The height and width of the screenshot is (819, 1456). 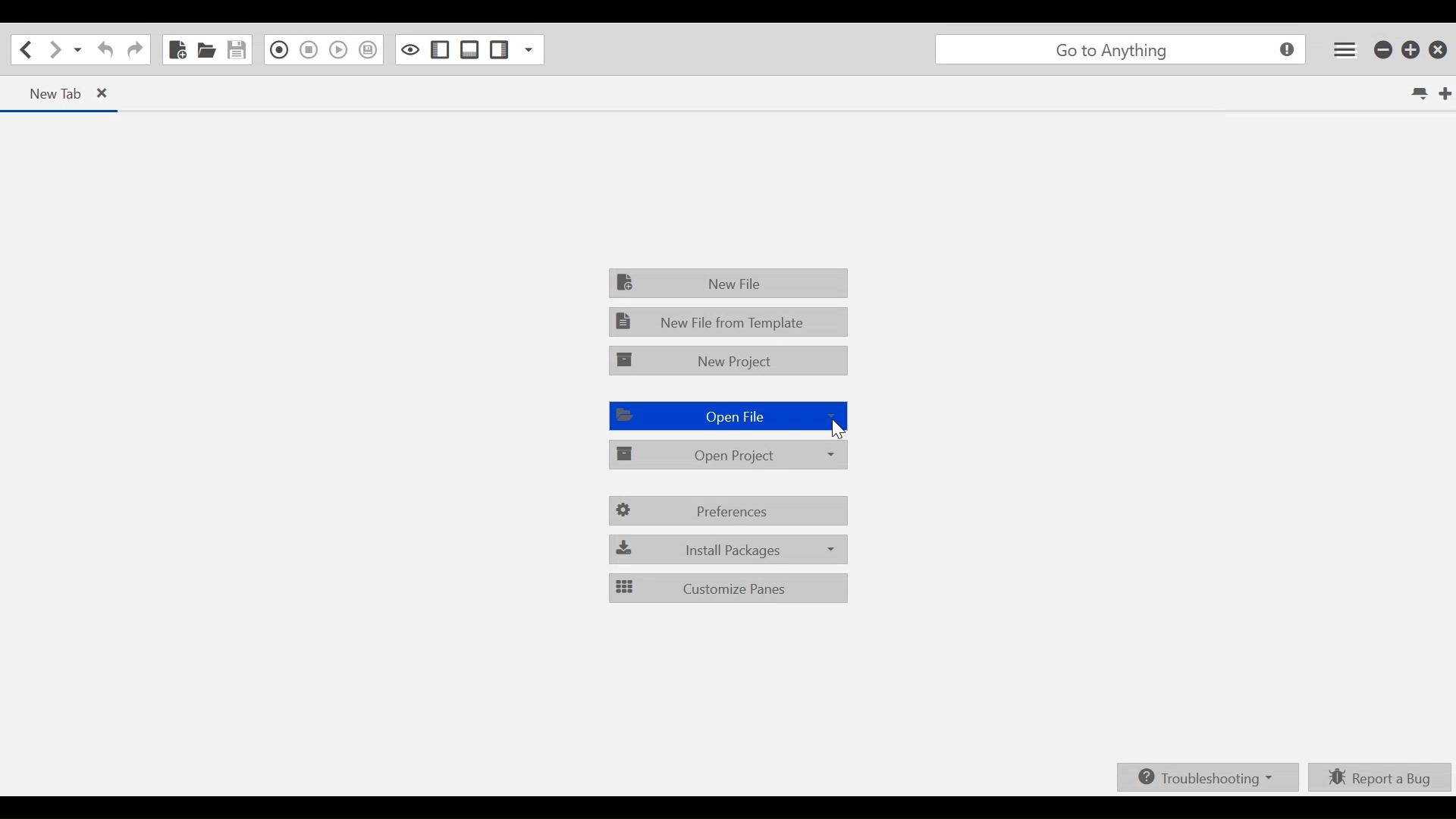 I want to click on Cursor, so click(x=836, y=429).